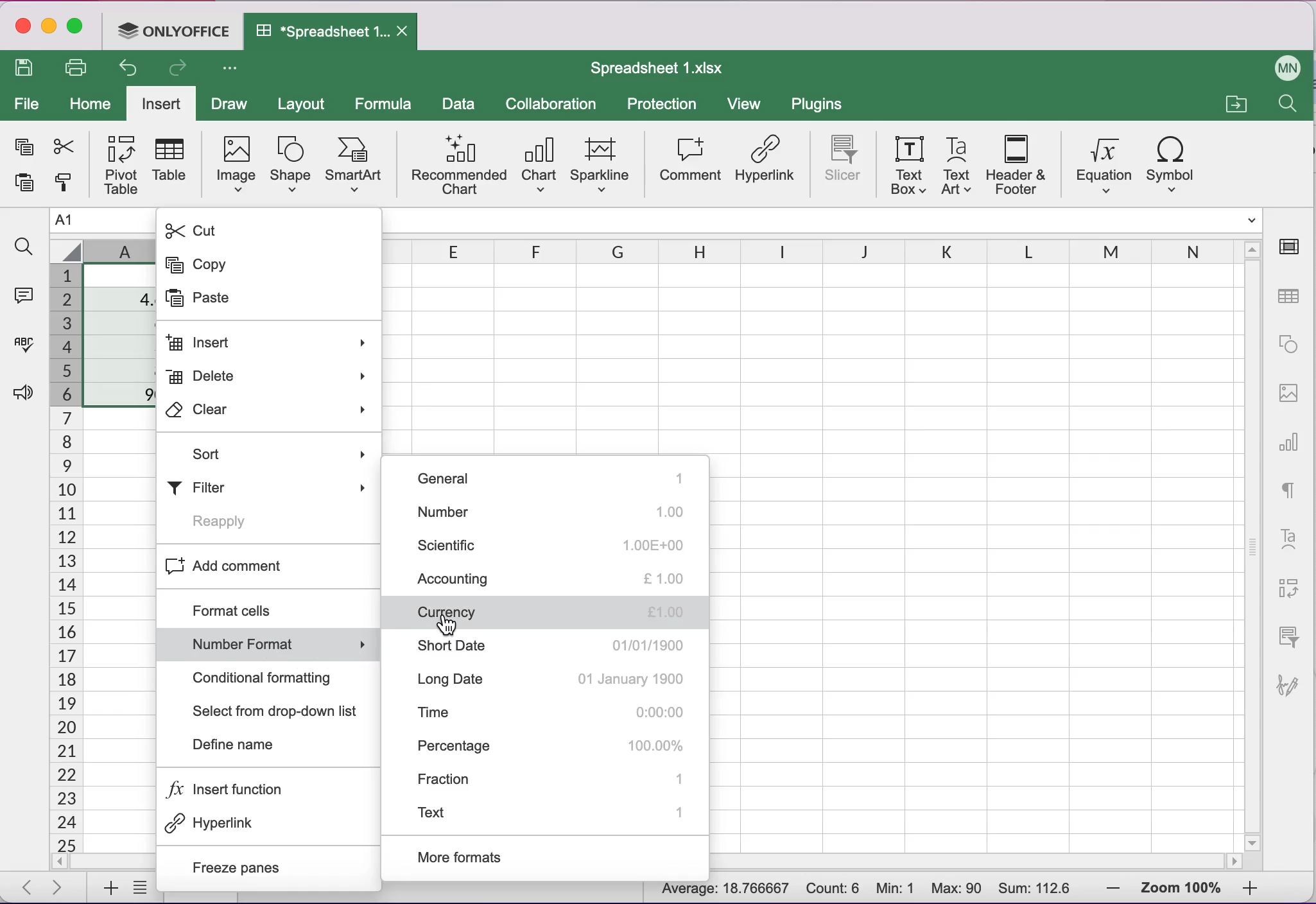 This screenshot has width=1316, height=904. Describe the element at coordinates (324, 33) in the screenshot. I see `Spreadsheet 1.xIsx` at that location.